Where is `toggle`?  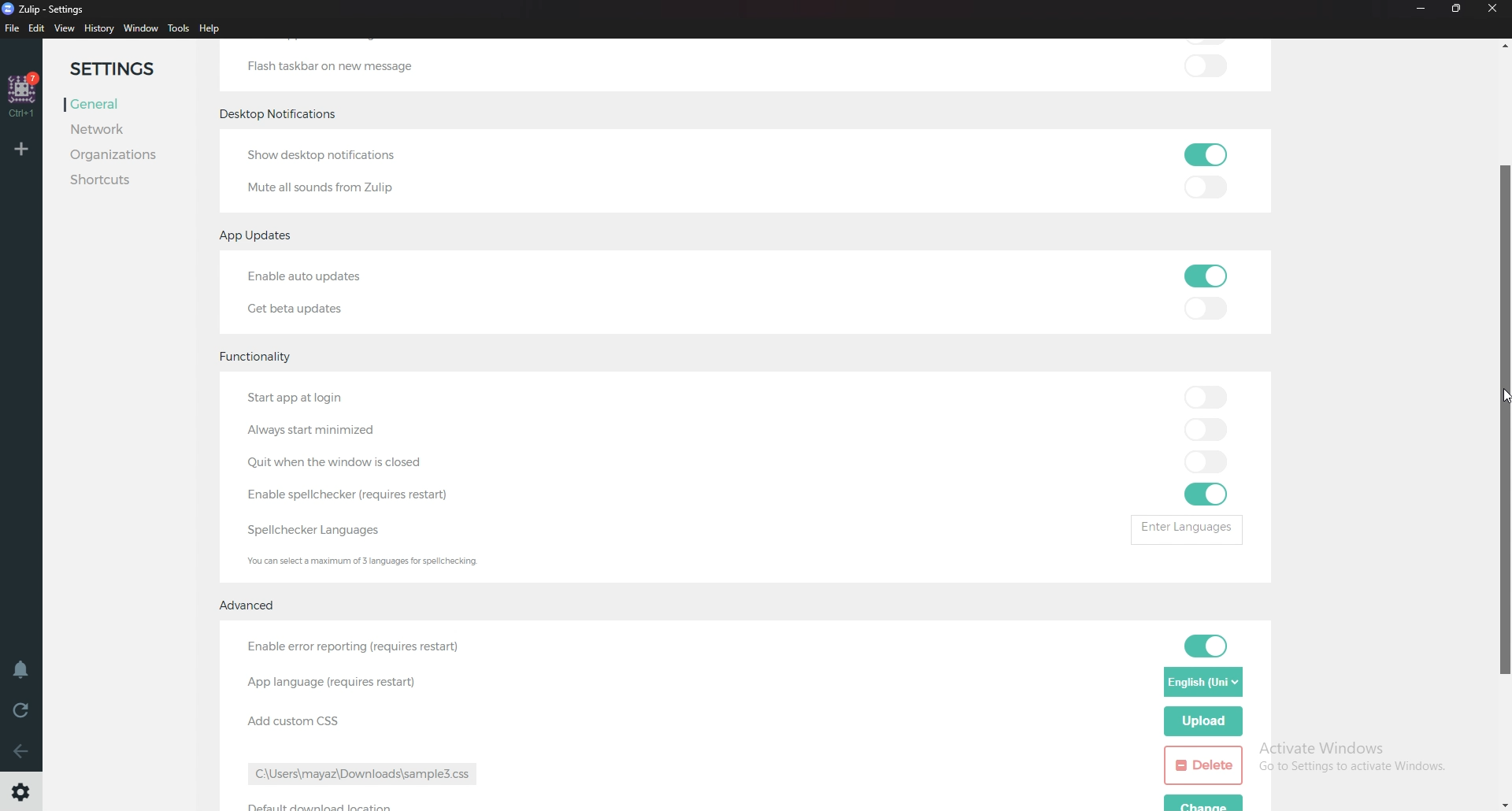
toggle is located at coordinates (1205, 187).